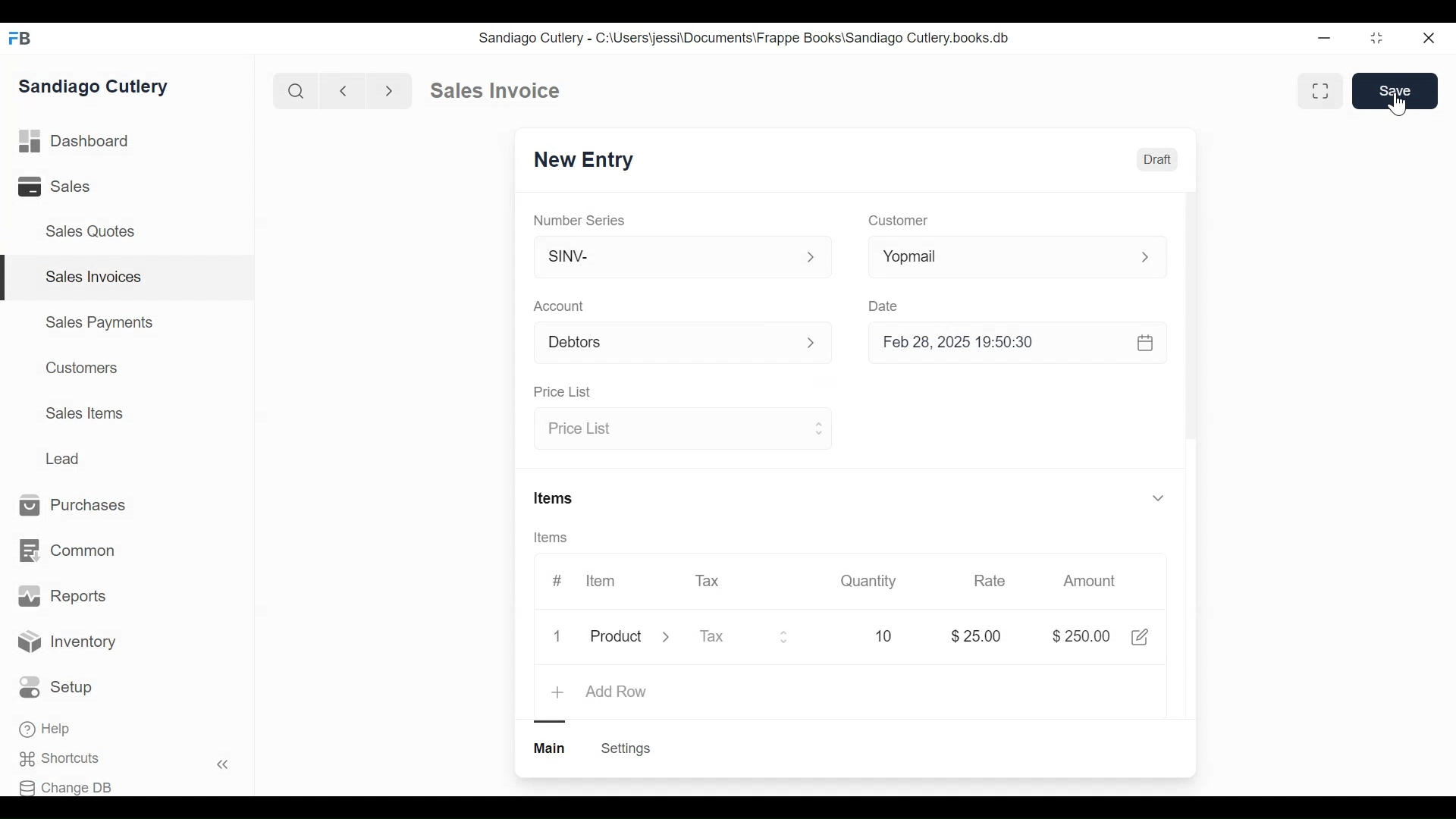 This screenshot has height=819, width=1456. Describe the element at coordinates (65, 759) in the screenshot. I see `Shortcuts` at that location.